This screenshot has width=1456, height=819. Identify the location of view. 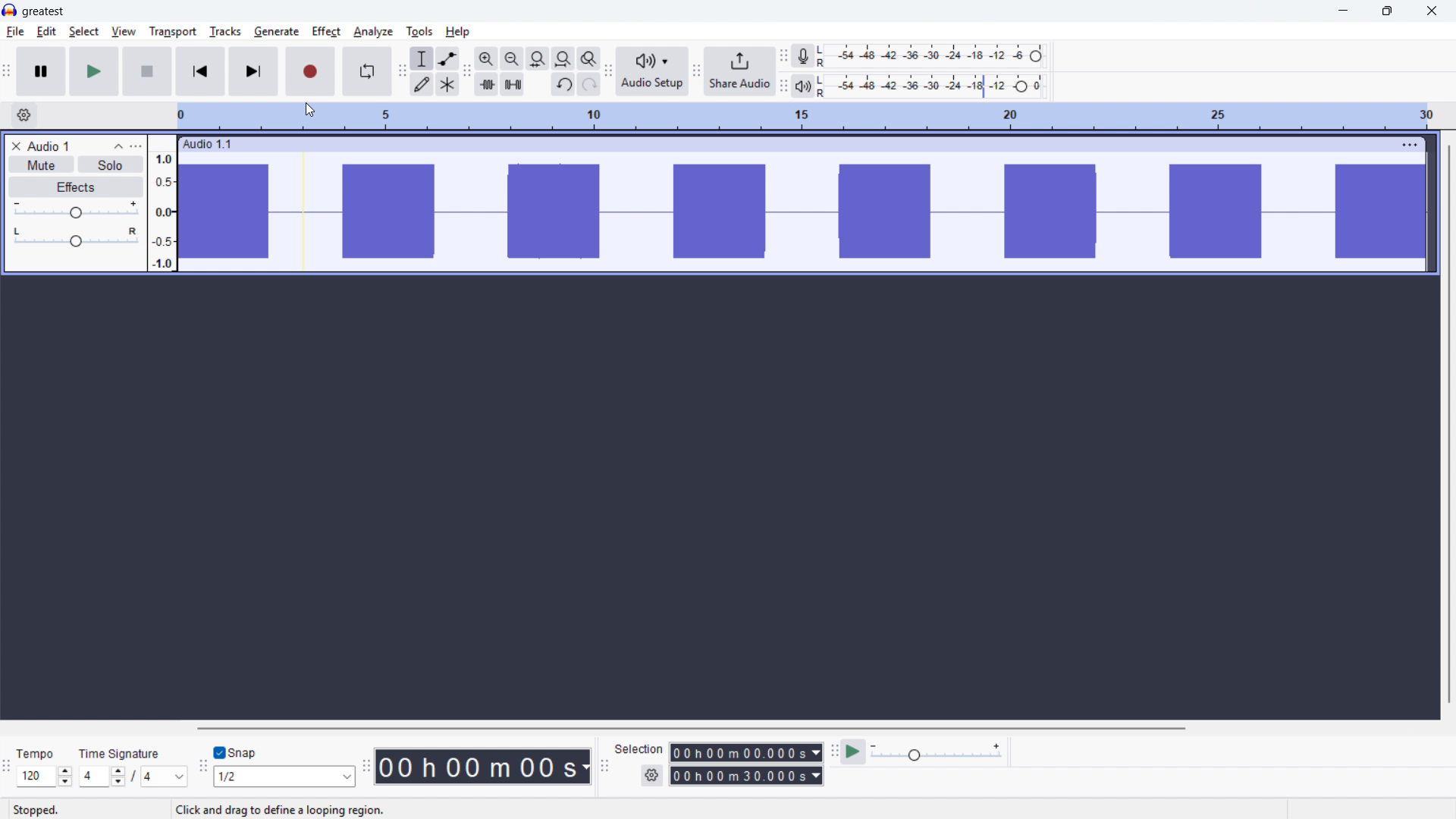
(123, 31).